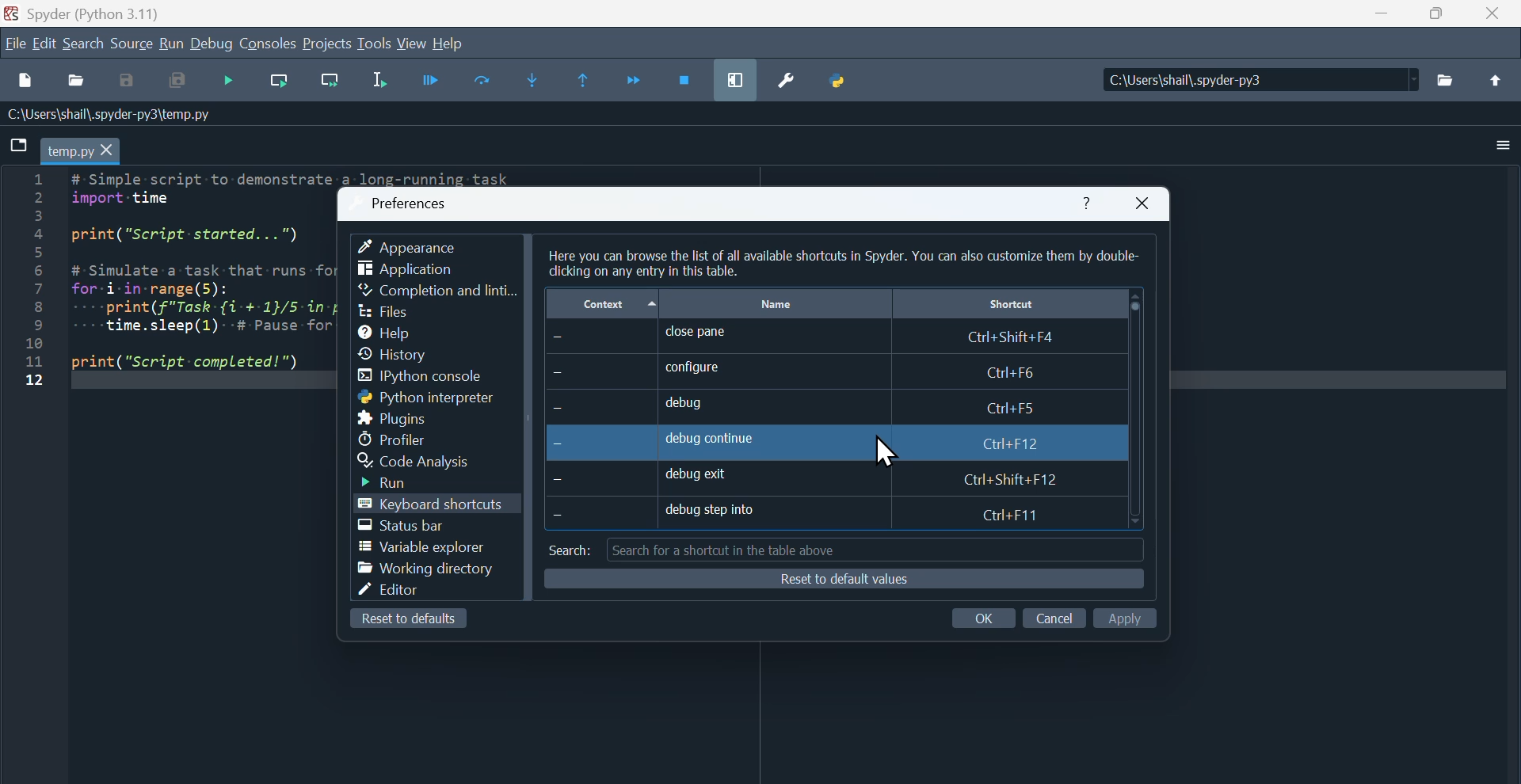  Describe the element at coordinates (75, 82) in the screenshot. I see `Open file` at that location.